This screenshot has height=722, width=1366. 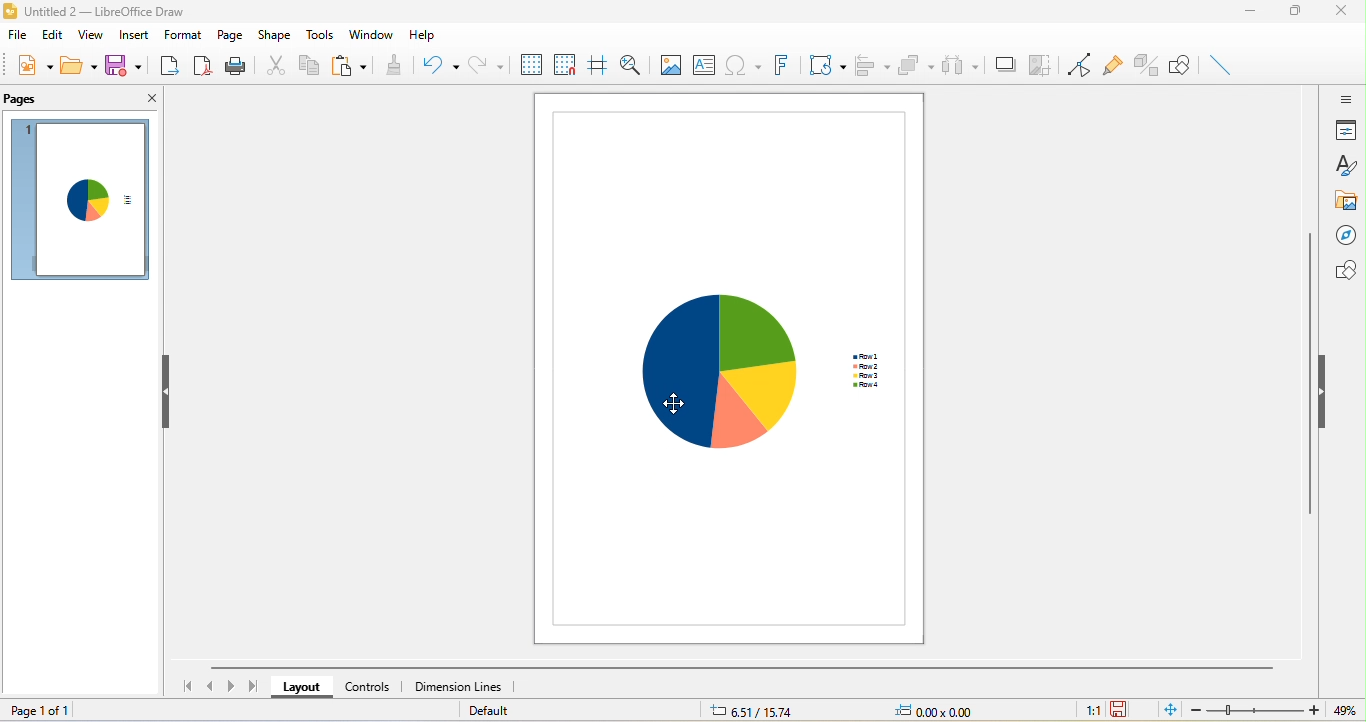 What do you see at coordinates (780, 65) in the screenshot?
I see `fontwork text` at bounding box center [780, 65].